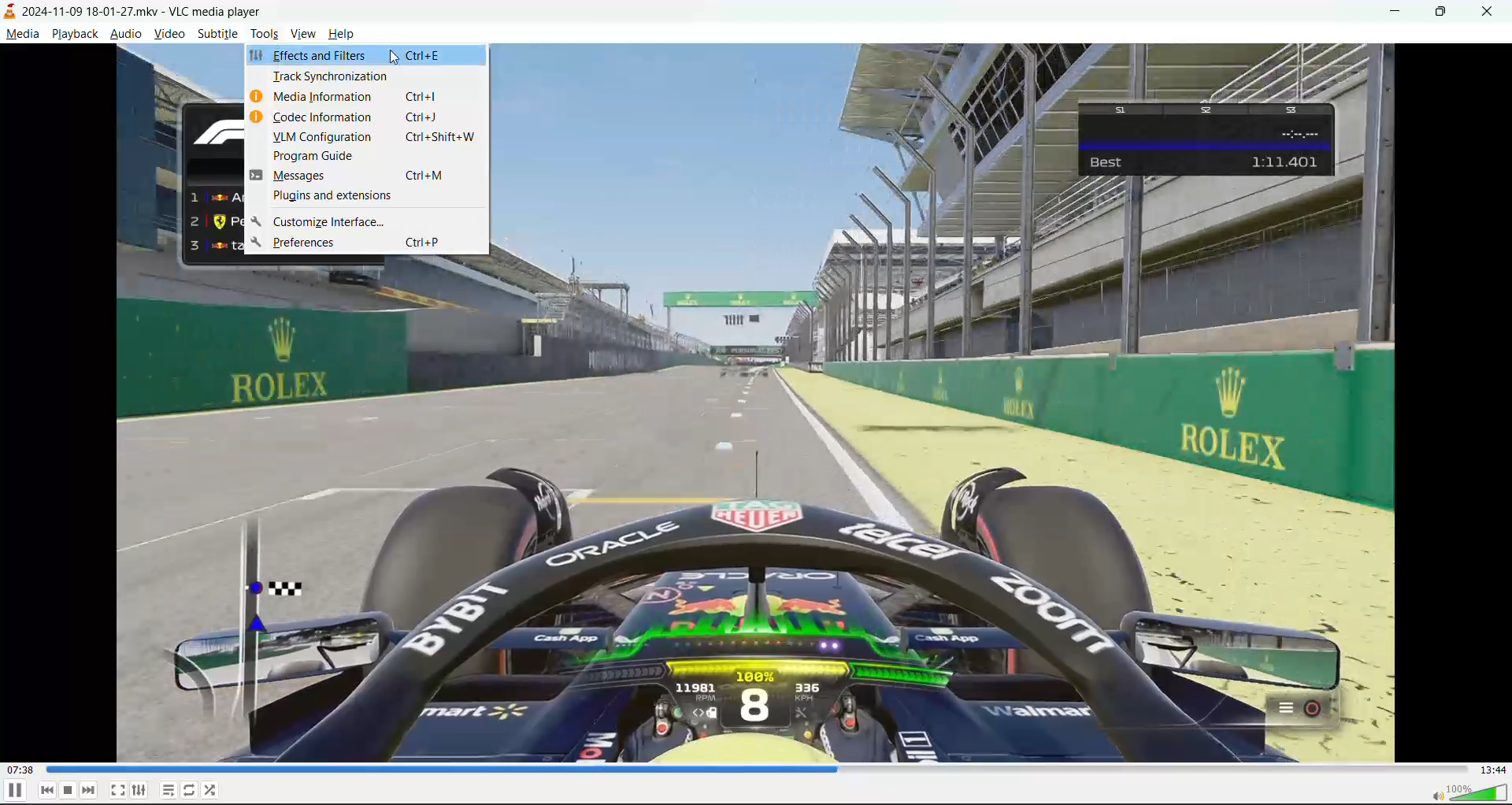 This screenshot has height=805, width=1512. I want to click on customize interface, so click(375, 221).